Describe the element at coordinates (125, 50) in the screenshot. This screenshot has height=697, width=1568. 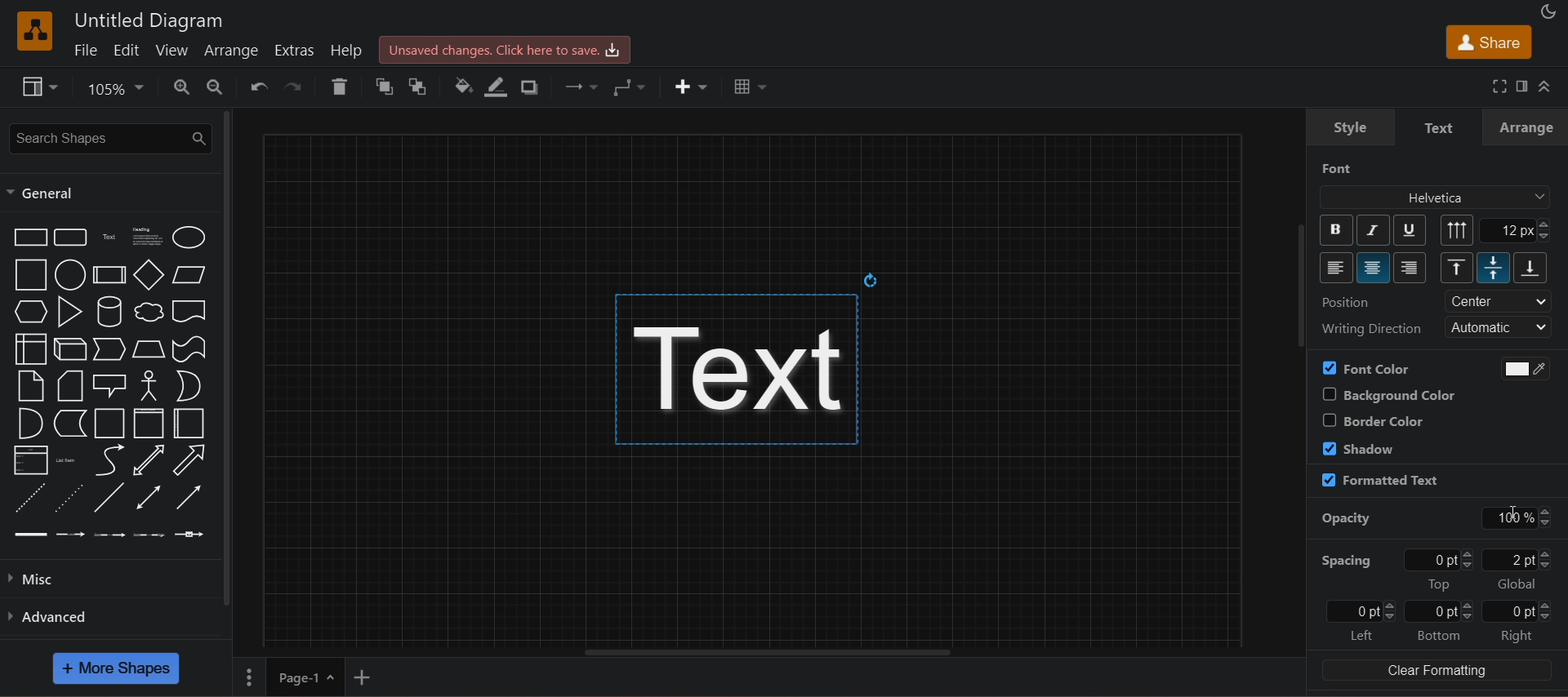
I see `edit` at that location.